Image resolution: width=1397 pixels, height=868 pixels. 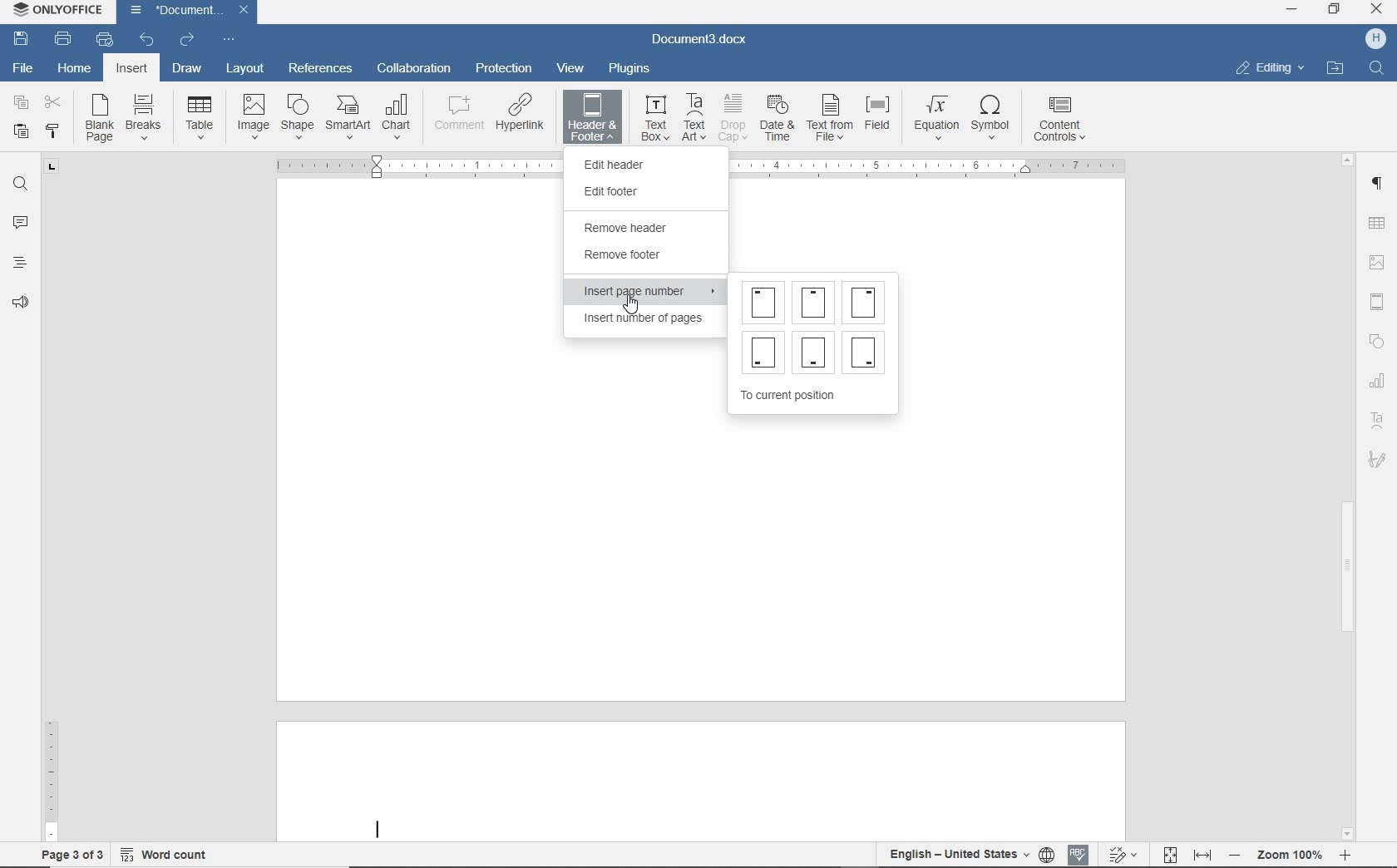 I want to click on DOCUMENT3.docx, so click(x=701, y=40).